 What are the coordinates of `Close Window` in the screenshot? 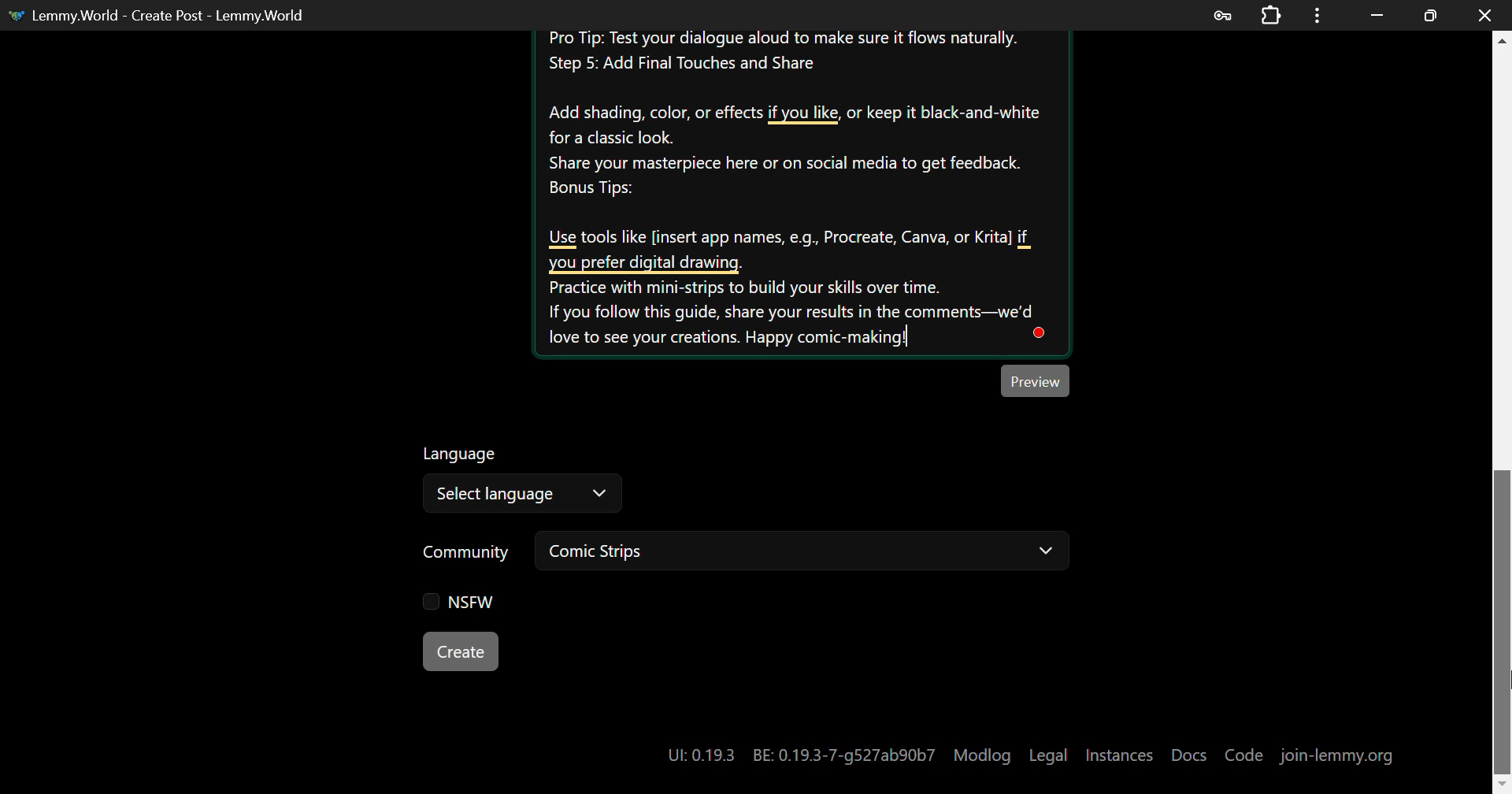 It's located at (1488, 15).